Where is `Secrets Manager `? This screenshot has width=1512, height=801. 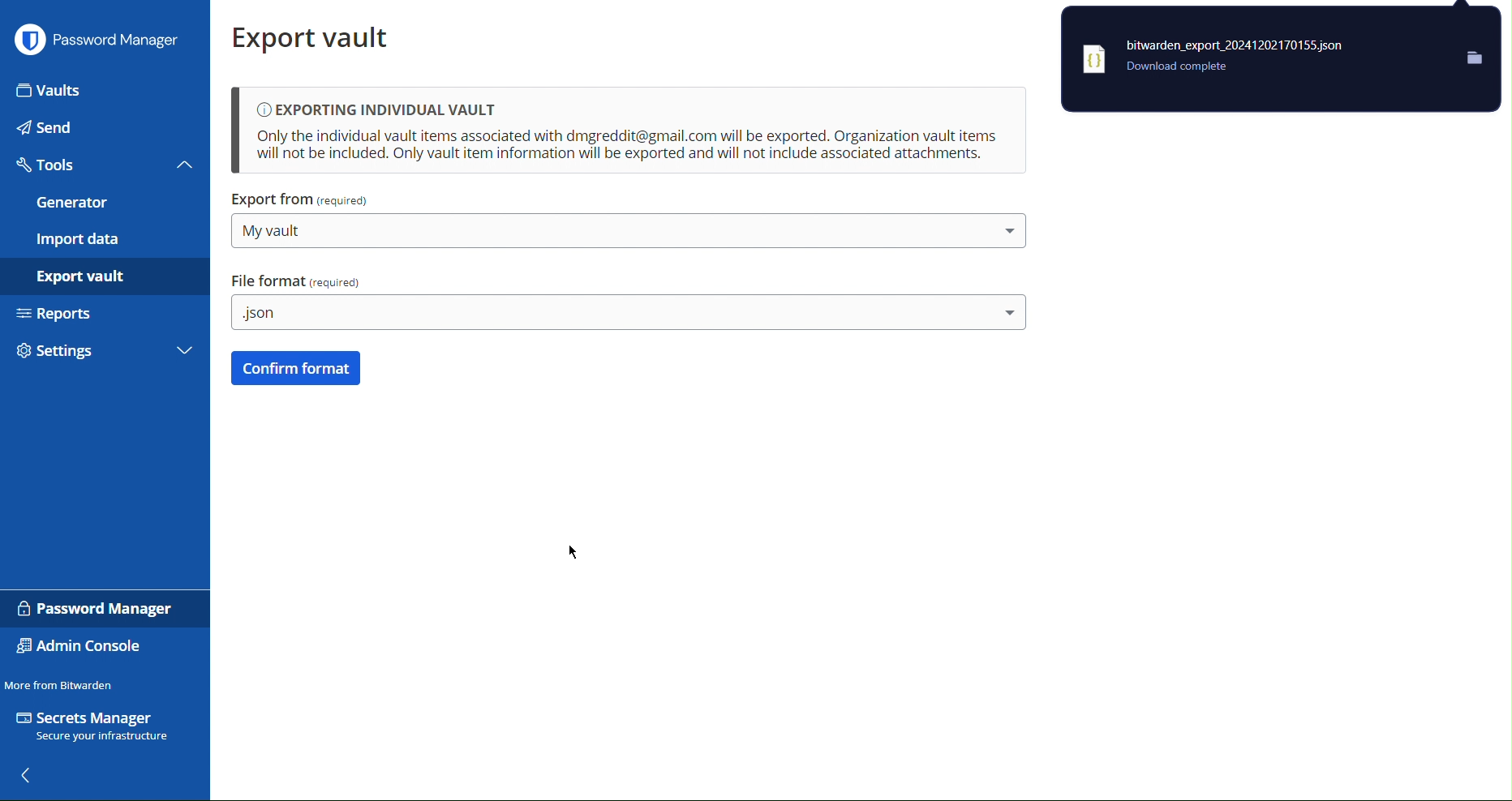 Secrets Manager  is located at coordinates (99, 728).